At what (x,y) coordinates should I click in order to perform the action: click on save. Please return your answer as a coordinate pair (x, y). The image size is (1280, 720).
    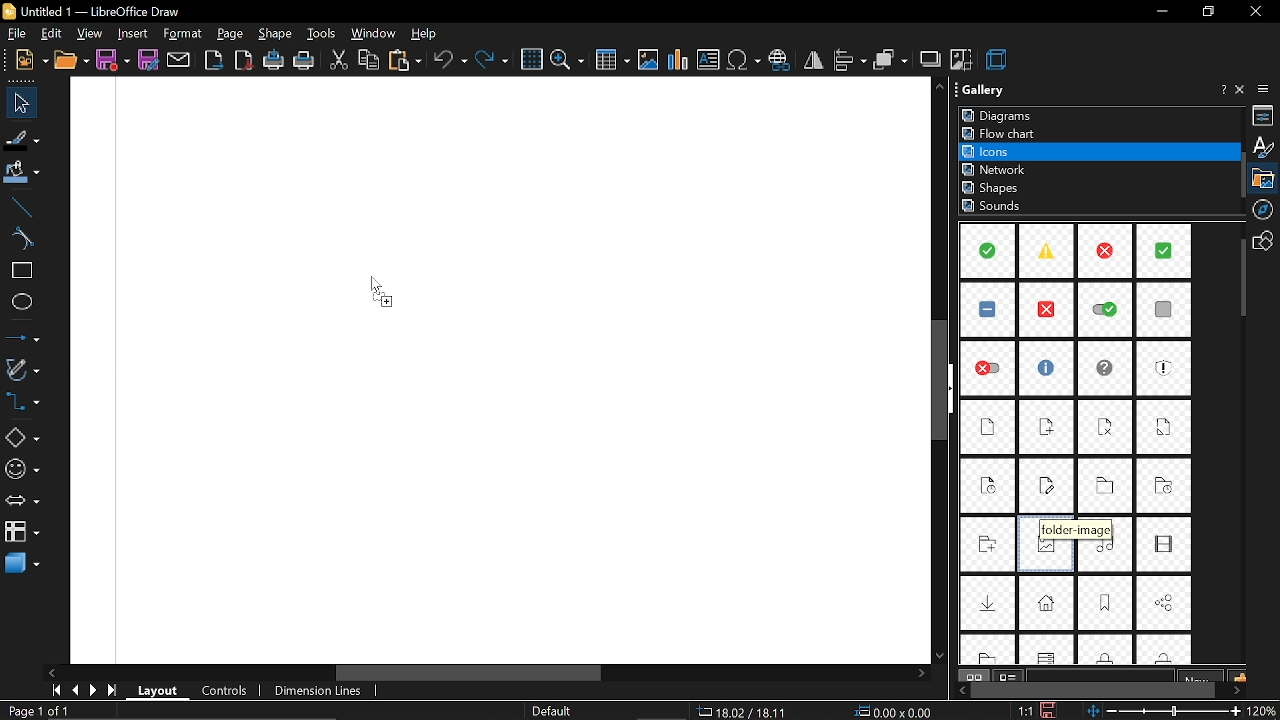
    Looking at the image, I should click on (112, 60).